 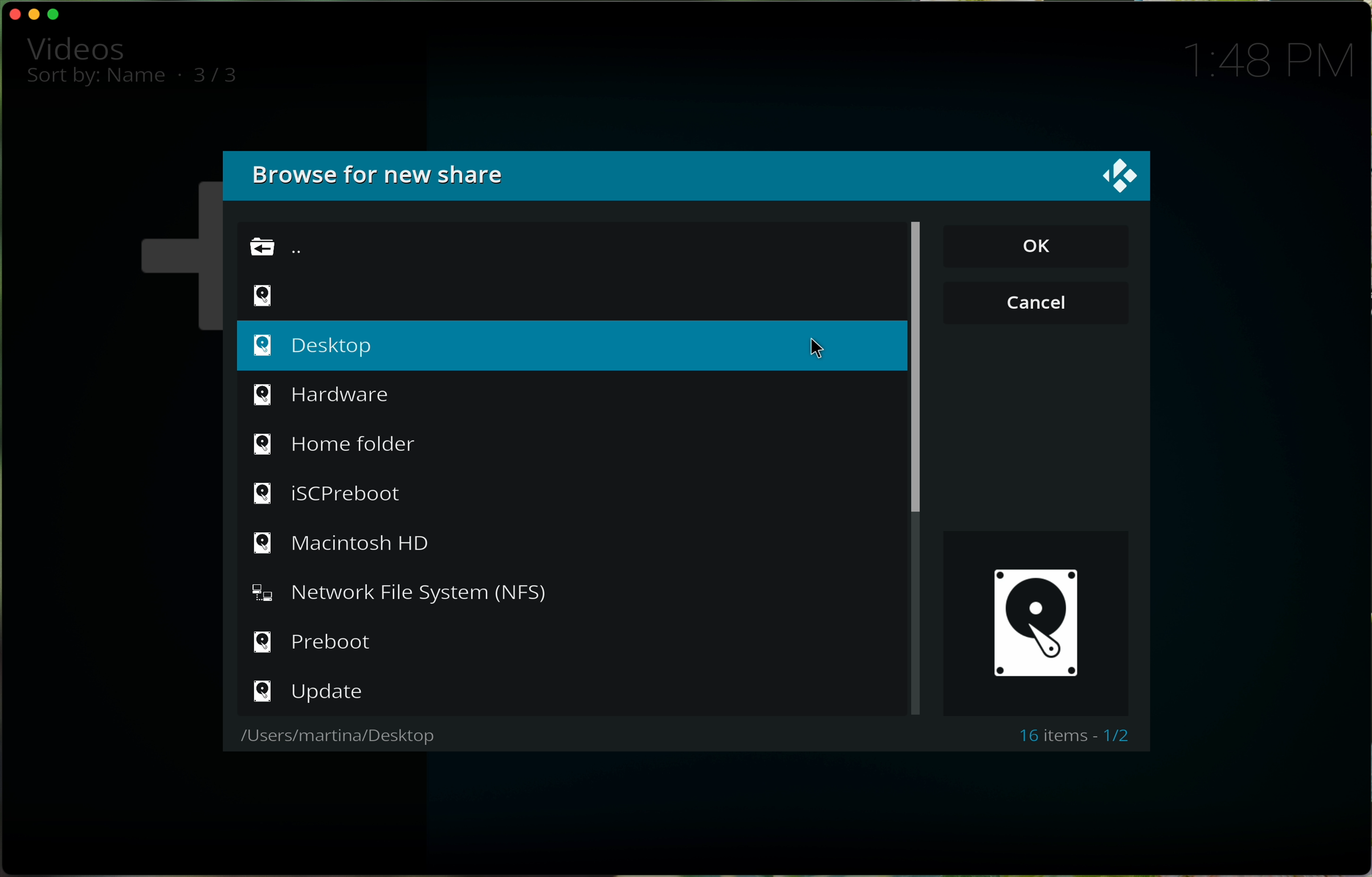 What do you see at coordinates (341, 735) in the screenshot?
I see `users/martina/desktop` at bounding box center [341, 735].